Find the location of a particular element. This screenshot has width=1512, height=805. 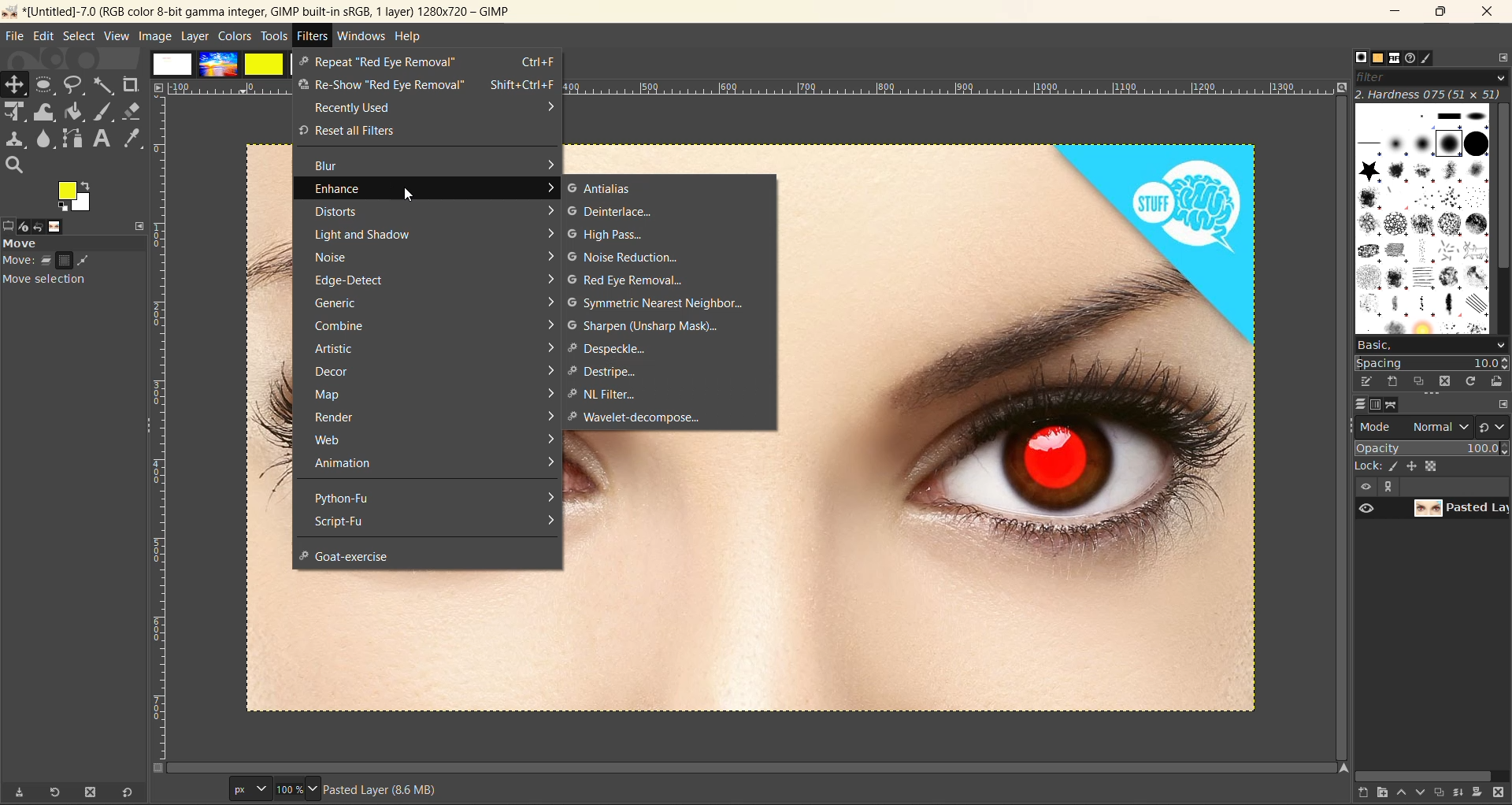

merge this layer is located at coordinates (1461, 793).